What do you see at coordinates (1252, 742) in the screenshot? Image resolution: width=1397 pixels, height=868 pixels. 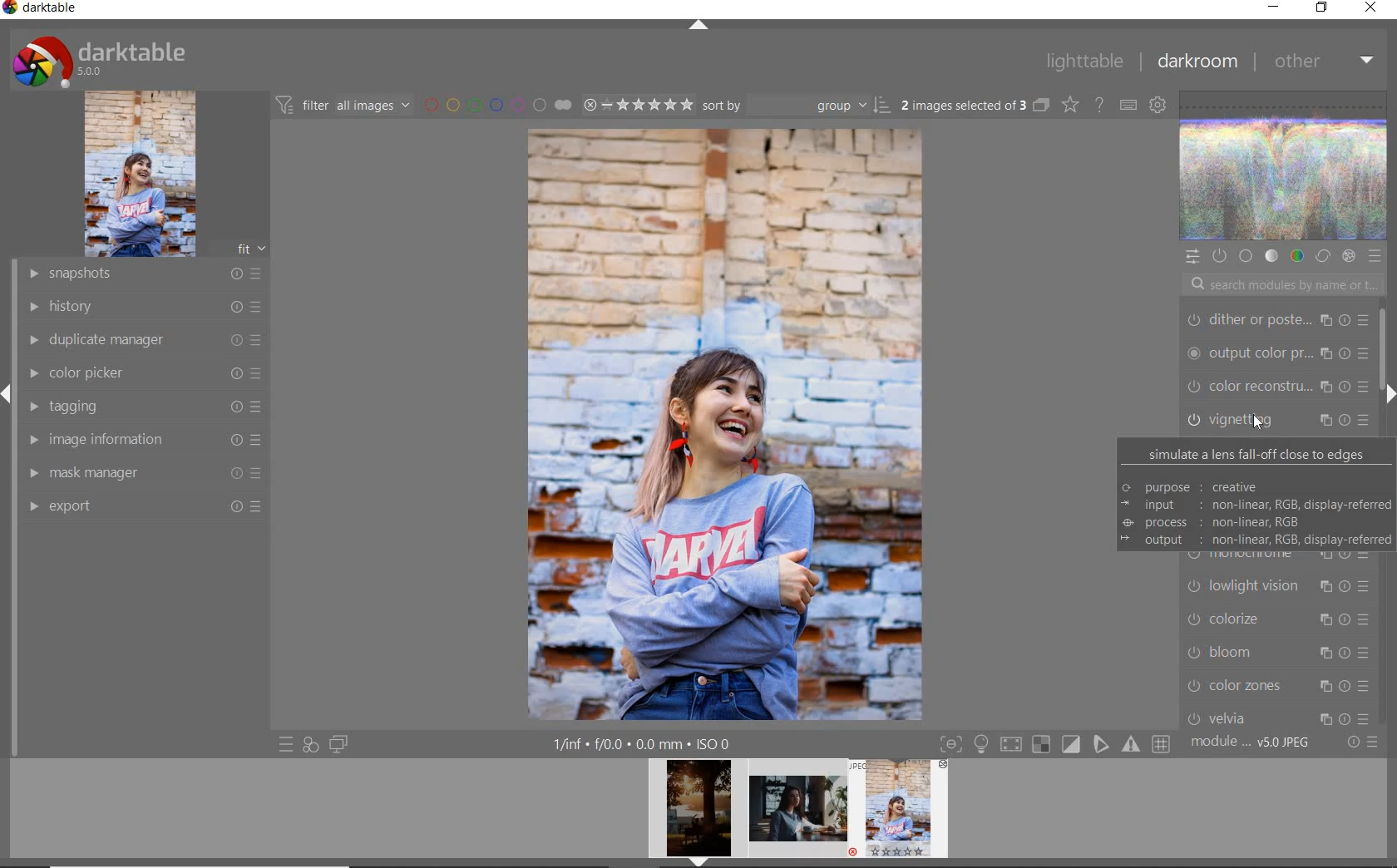 I see `module order` at bounding box center [1252, 742].